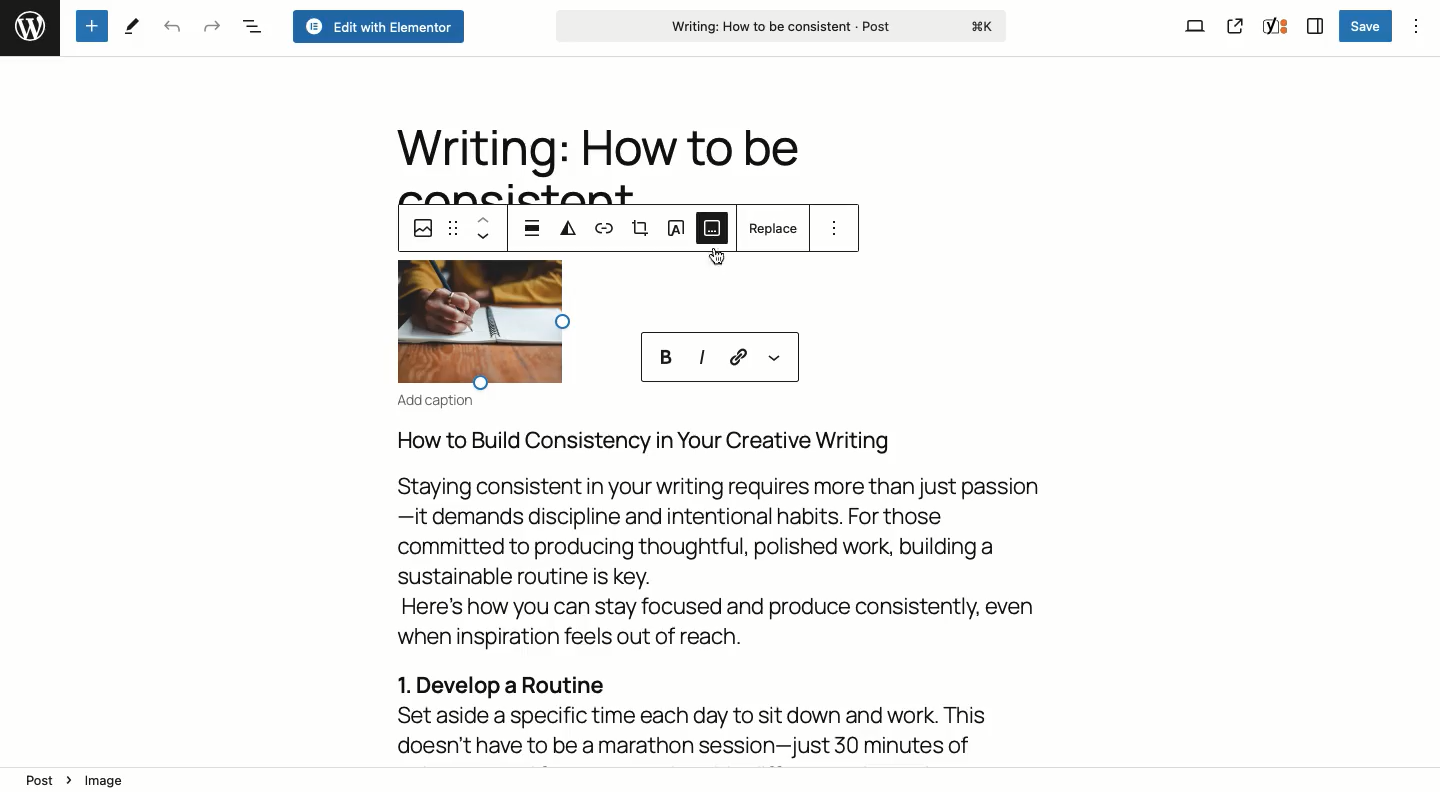 This screenshot has height=792, width=1440. I want to click on Image, so click(420, 231).